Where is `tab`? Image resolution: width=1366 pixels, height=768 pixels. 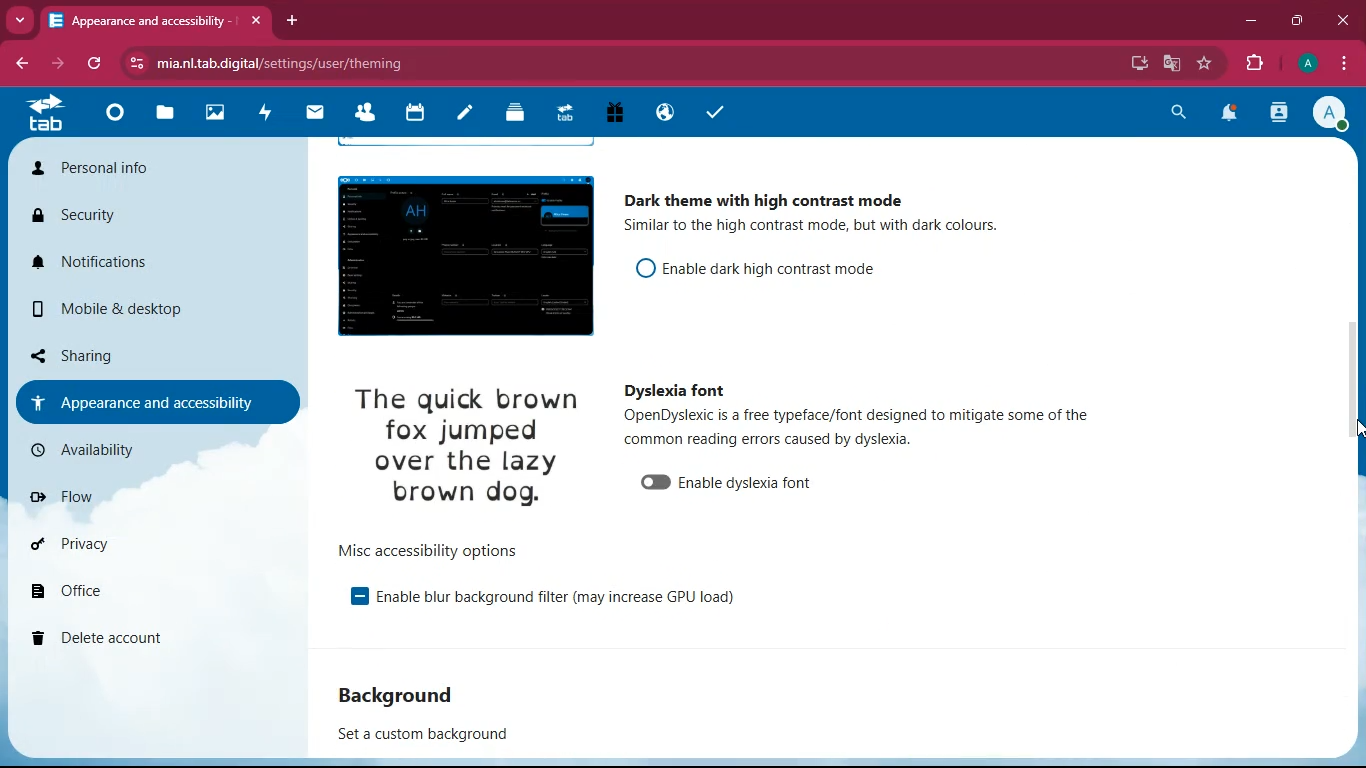 tab is located at coordinates (563, 112).